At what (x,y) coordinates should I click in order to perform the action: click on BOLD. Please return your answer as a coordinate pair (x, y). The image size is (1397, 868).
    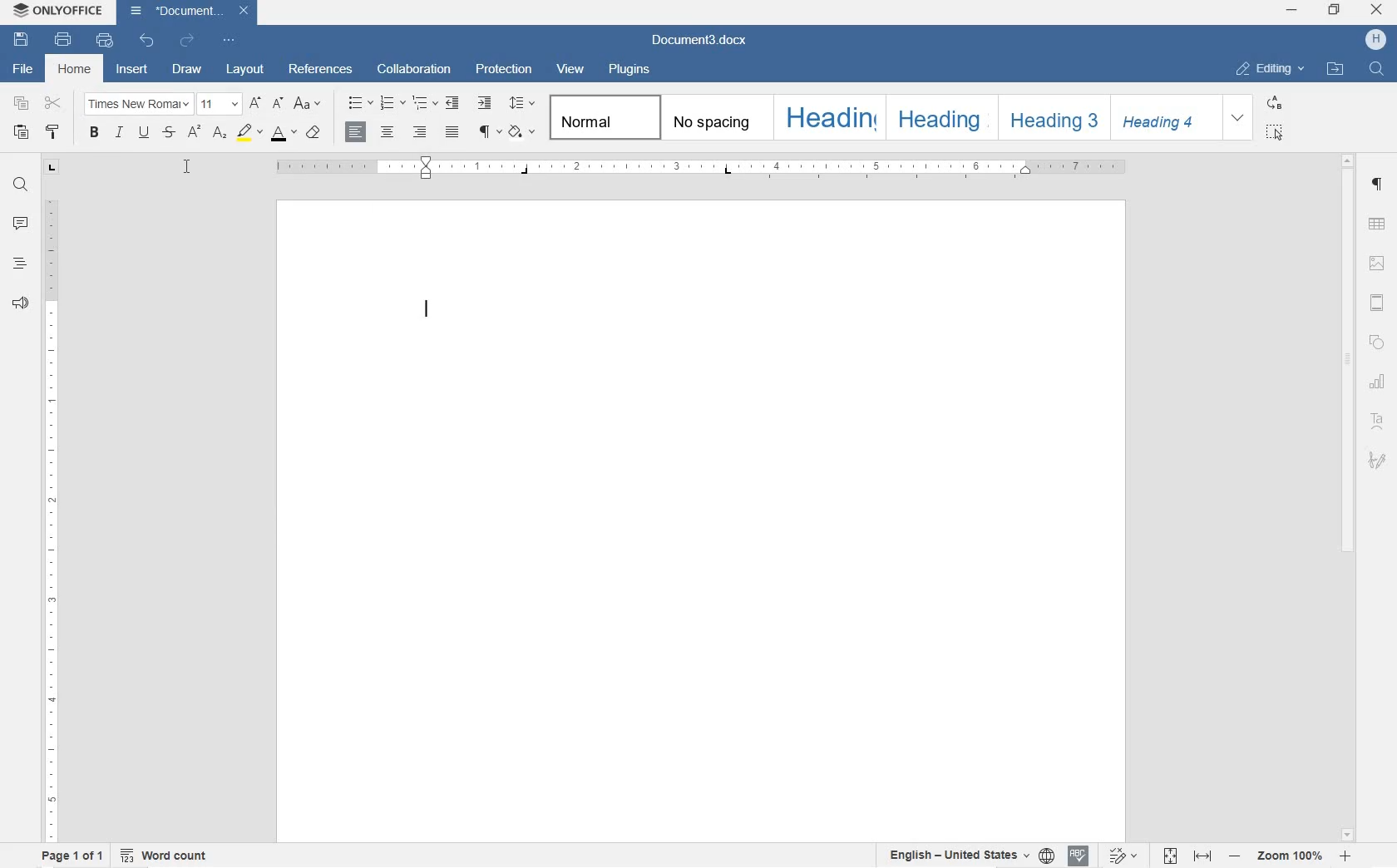
    Looking at the image, I should click on (95, 136).